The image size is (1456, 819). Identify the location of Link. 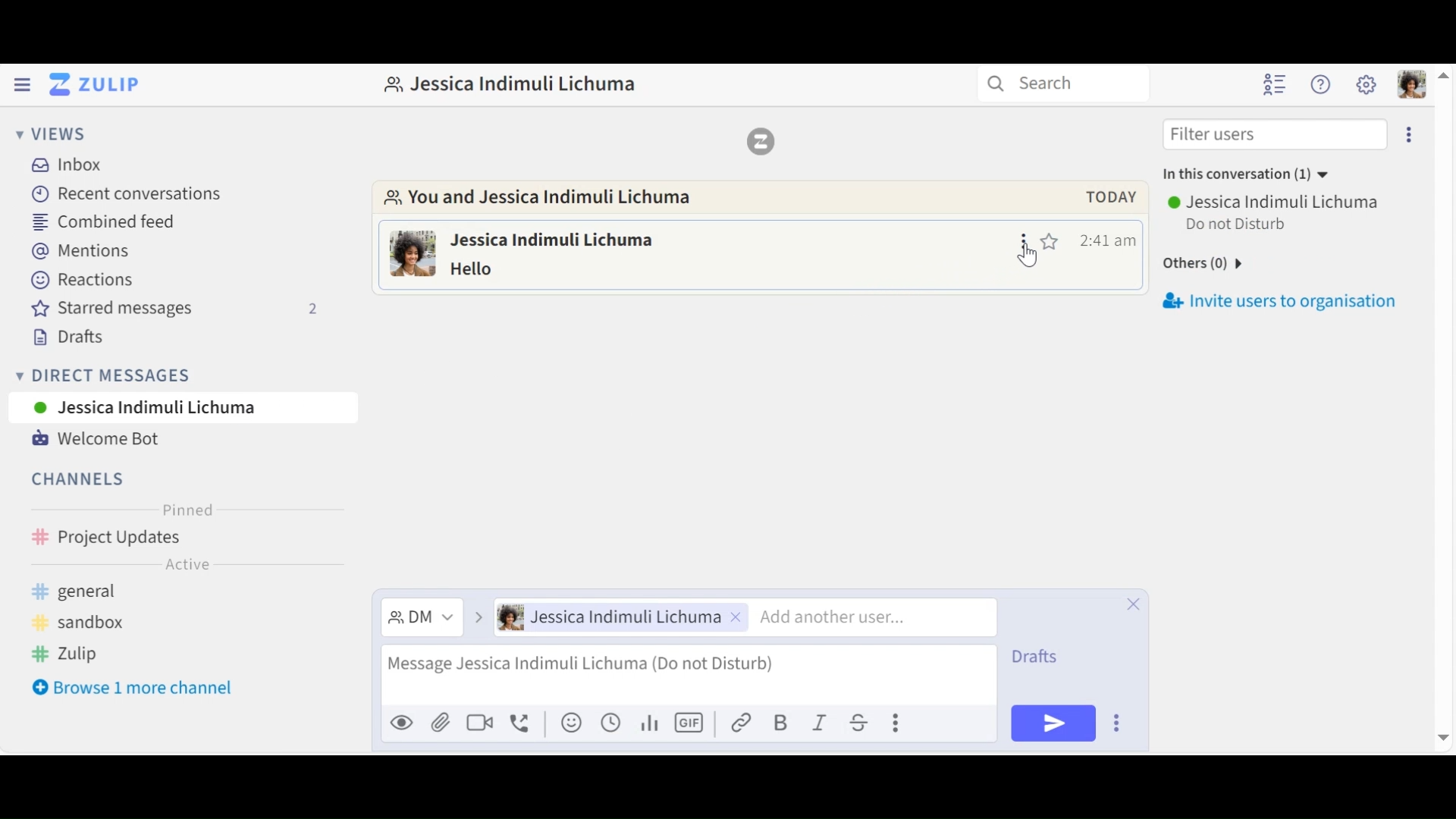
(742, 721).